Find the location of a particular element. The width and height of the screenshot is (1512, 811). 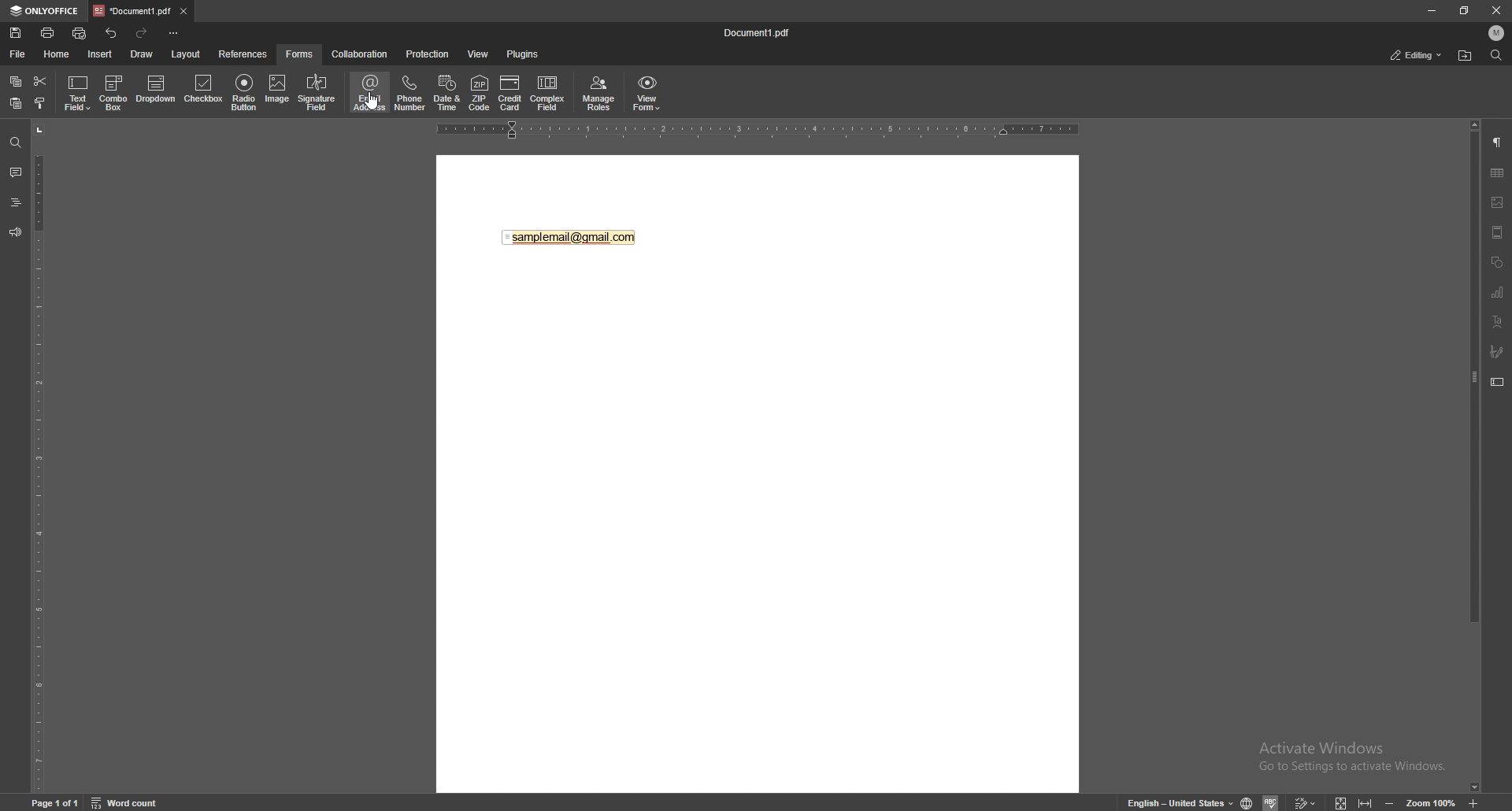

vertical scale is located at coordinates (39, 457).